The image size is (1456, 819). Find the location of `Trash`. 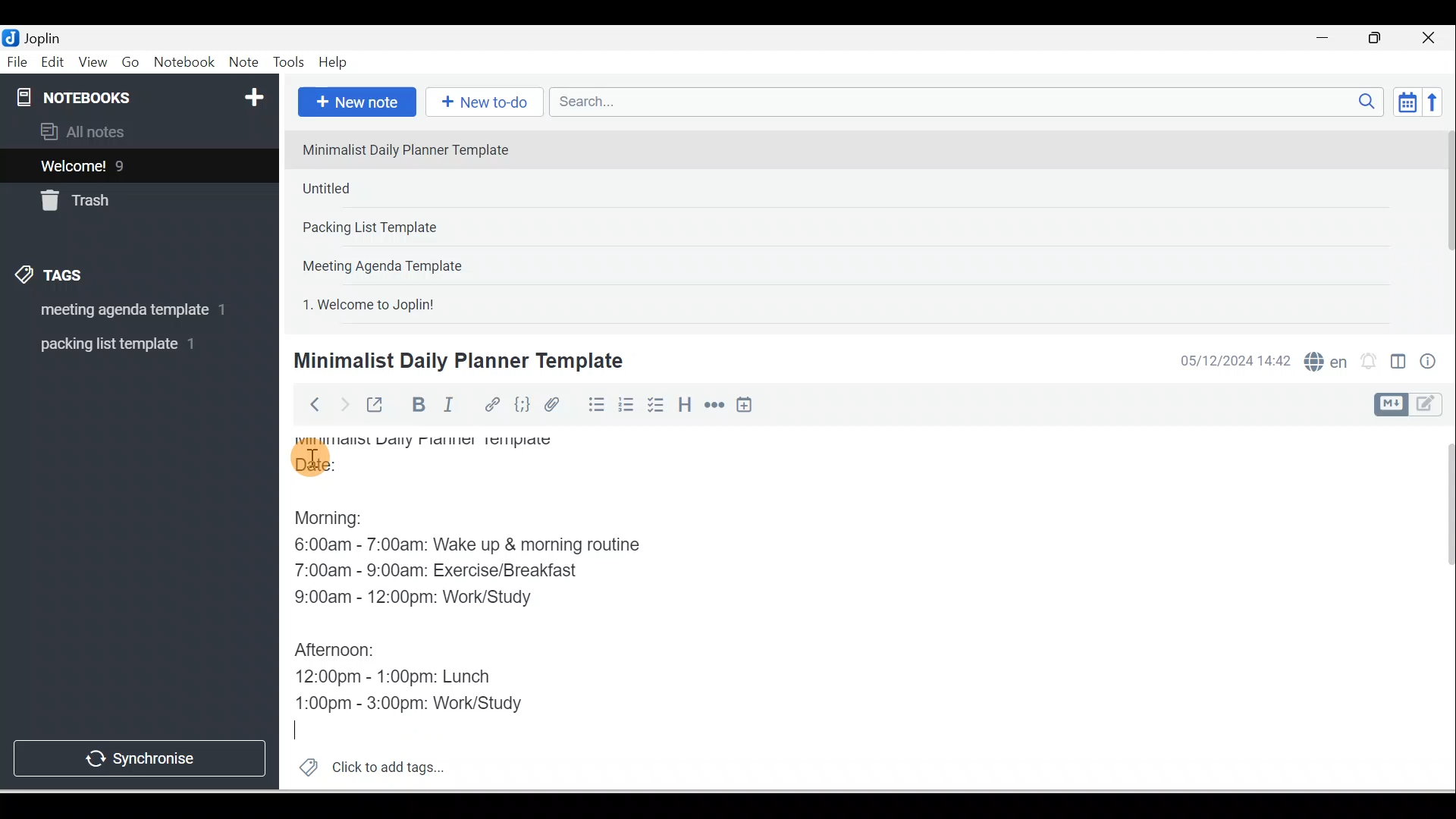

Trash is located at coordinates (111, 196).